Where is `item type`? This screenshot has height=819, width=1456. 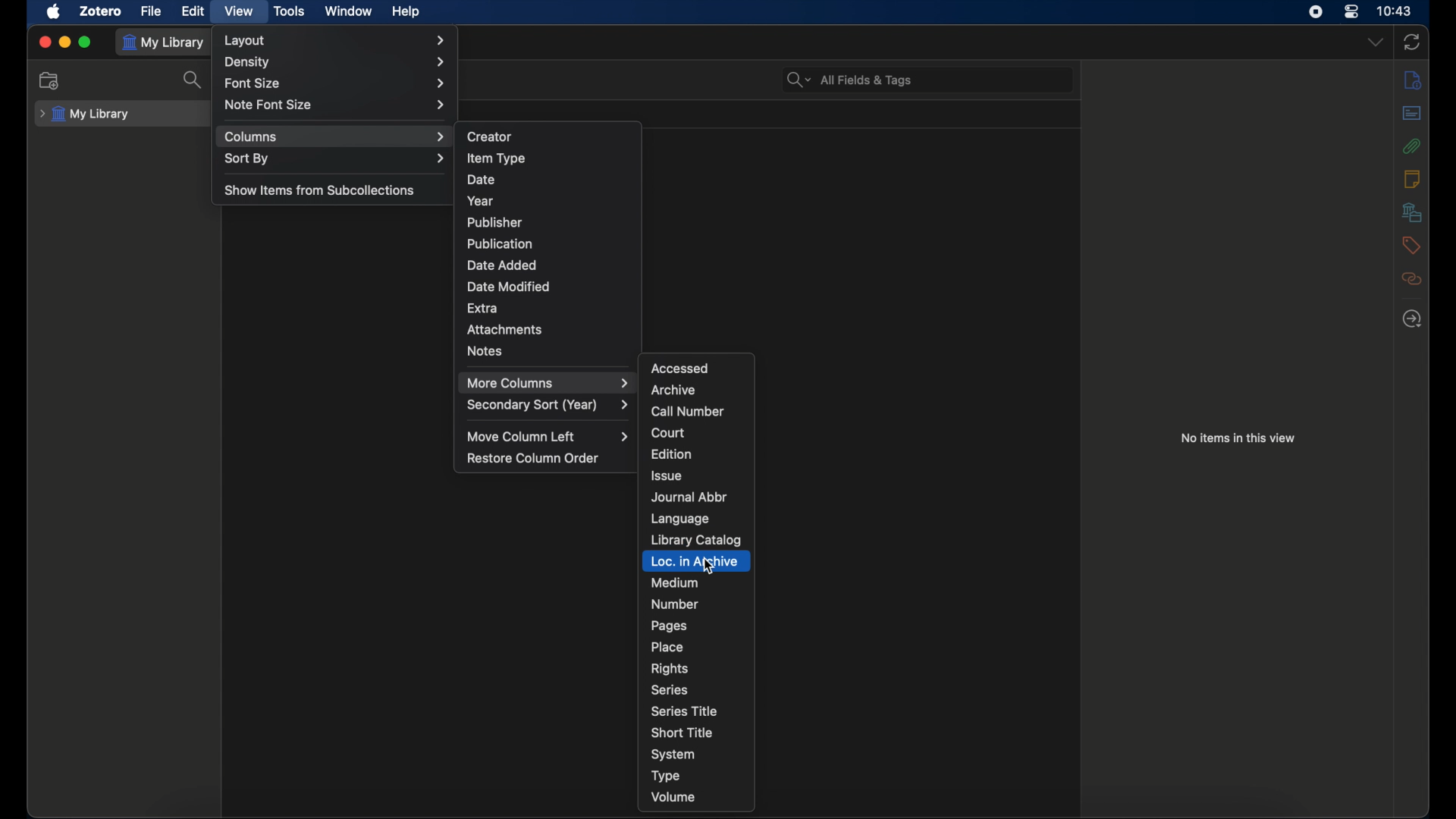 item type is located at coordinates (496, 158).